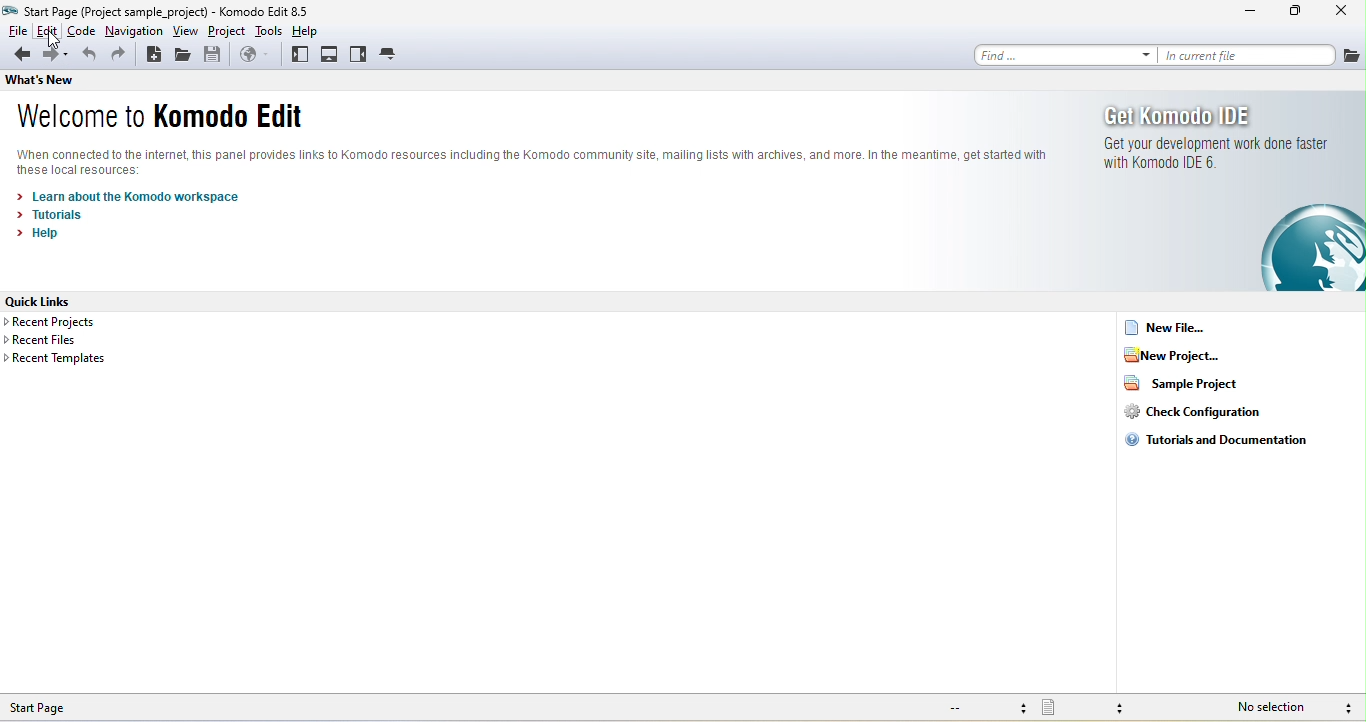 The width and height of the screenshot is (1366, 722). Describe the element at coordinates (122, 55) in the screenshot. I see `redo` at that location.